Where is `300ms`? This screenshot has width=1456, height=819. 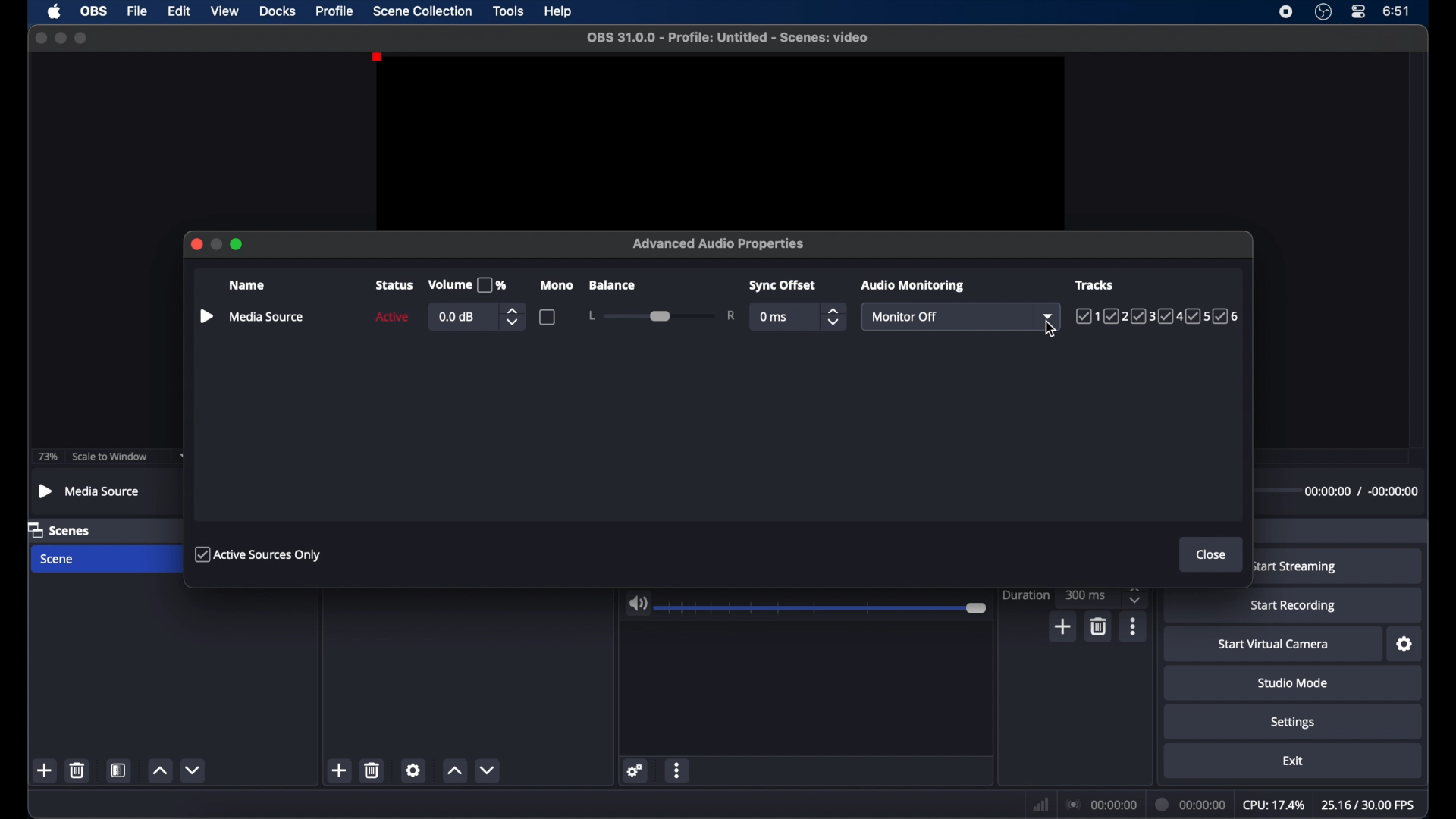 300ms is located at coordinates (1086, 595).